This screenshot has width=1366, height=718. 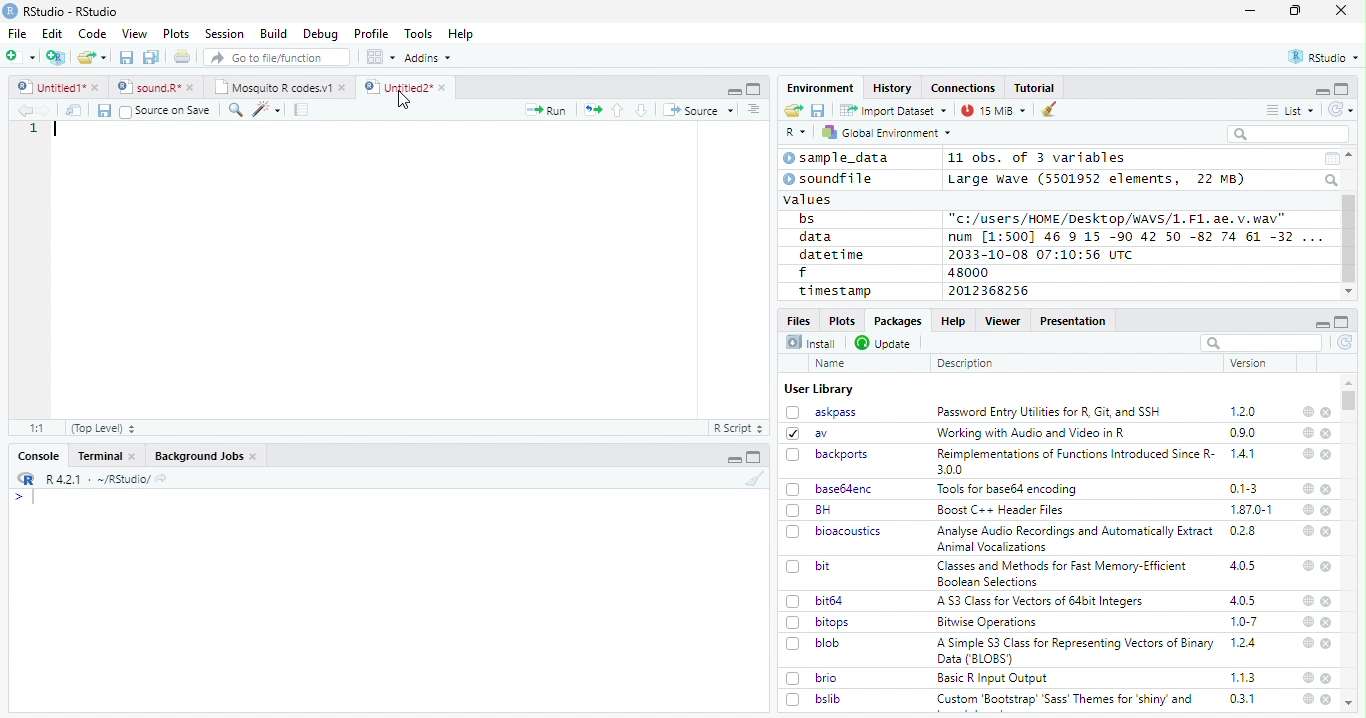 What do you see at coordinates (273, 34) in the screenshot?
I see `Build` at bounding box center [273, 34].